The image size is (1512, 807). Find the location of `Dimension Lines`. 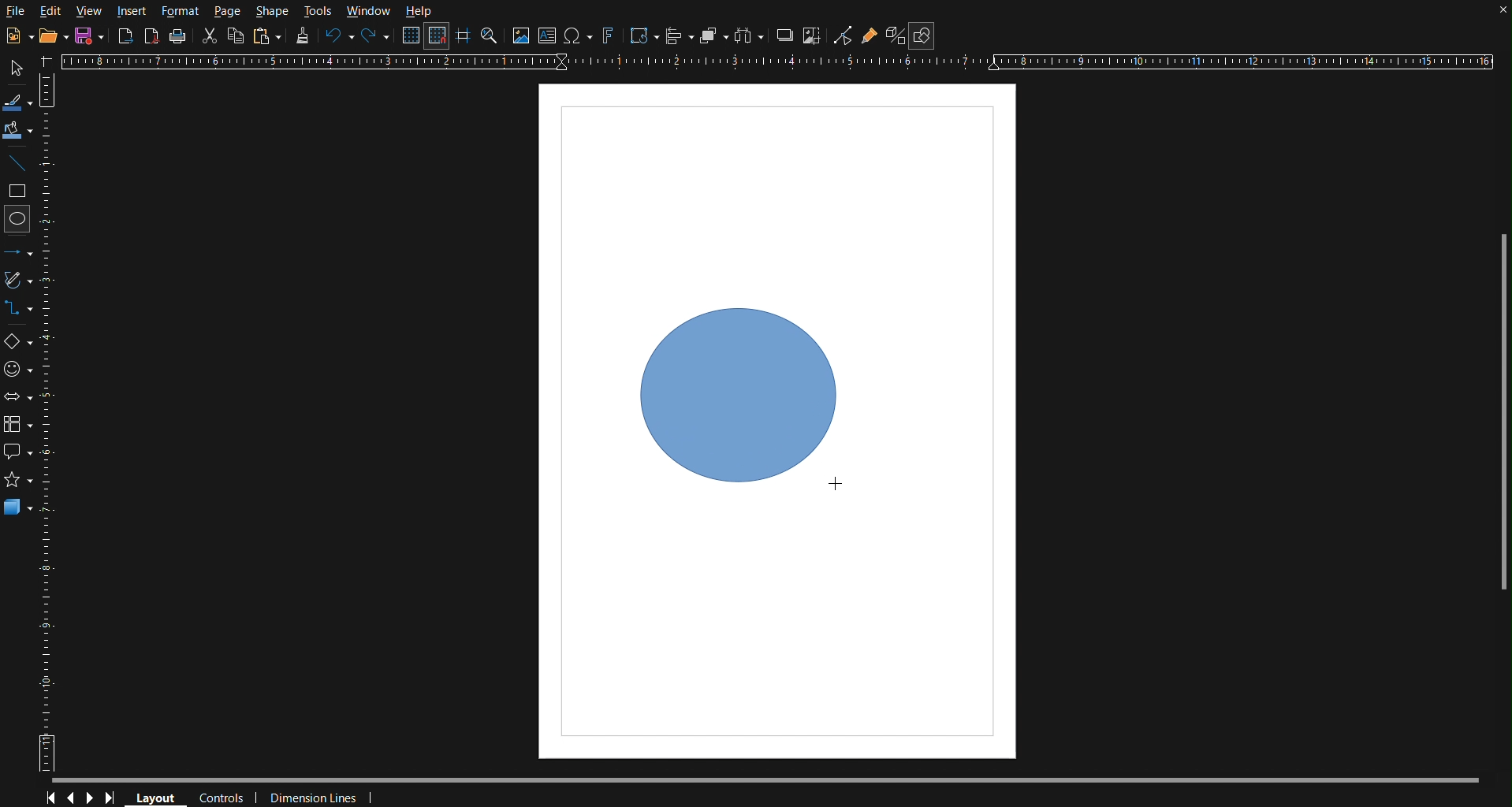

Dimension Lines is located at coordinates (315, 795).